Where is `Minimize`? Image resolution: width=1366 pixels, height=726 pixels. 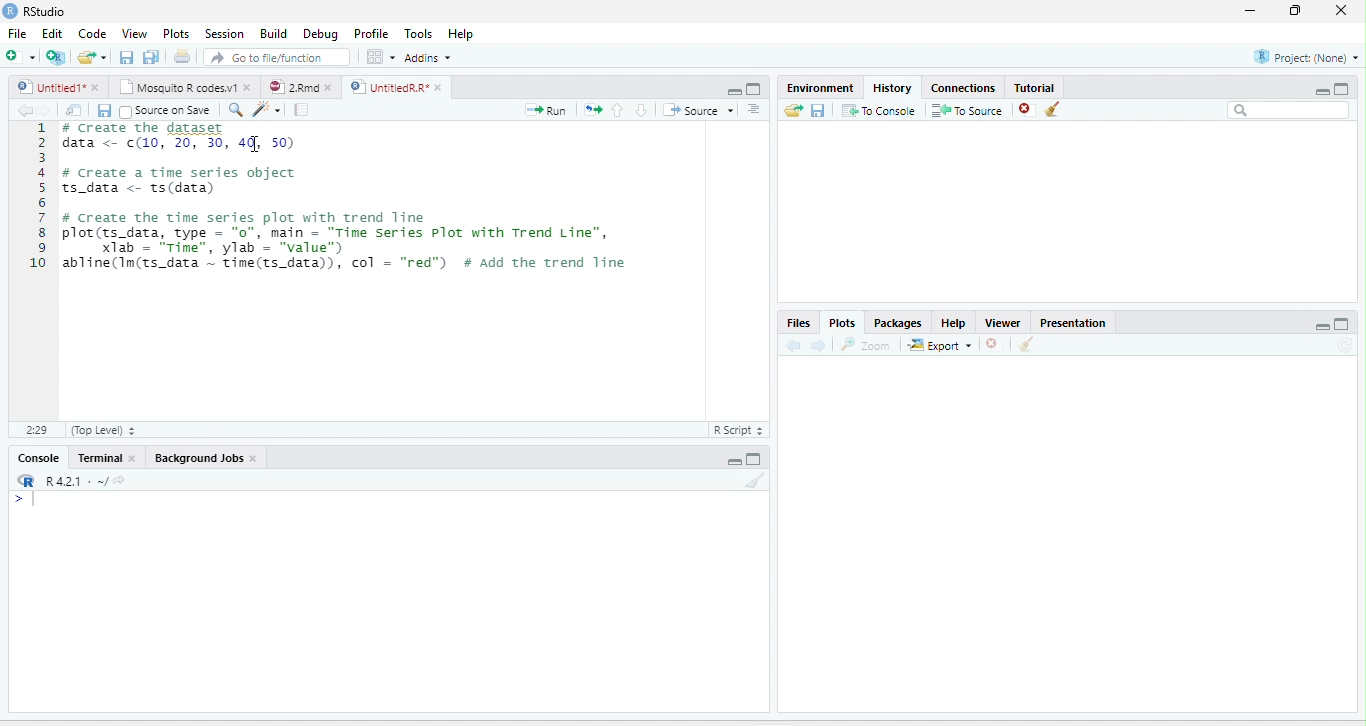
Minimize is located at coordinates (1321, 326).